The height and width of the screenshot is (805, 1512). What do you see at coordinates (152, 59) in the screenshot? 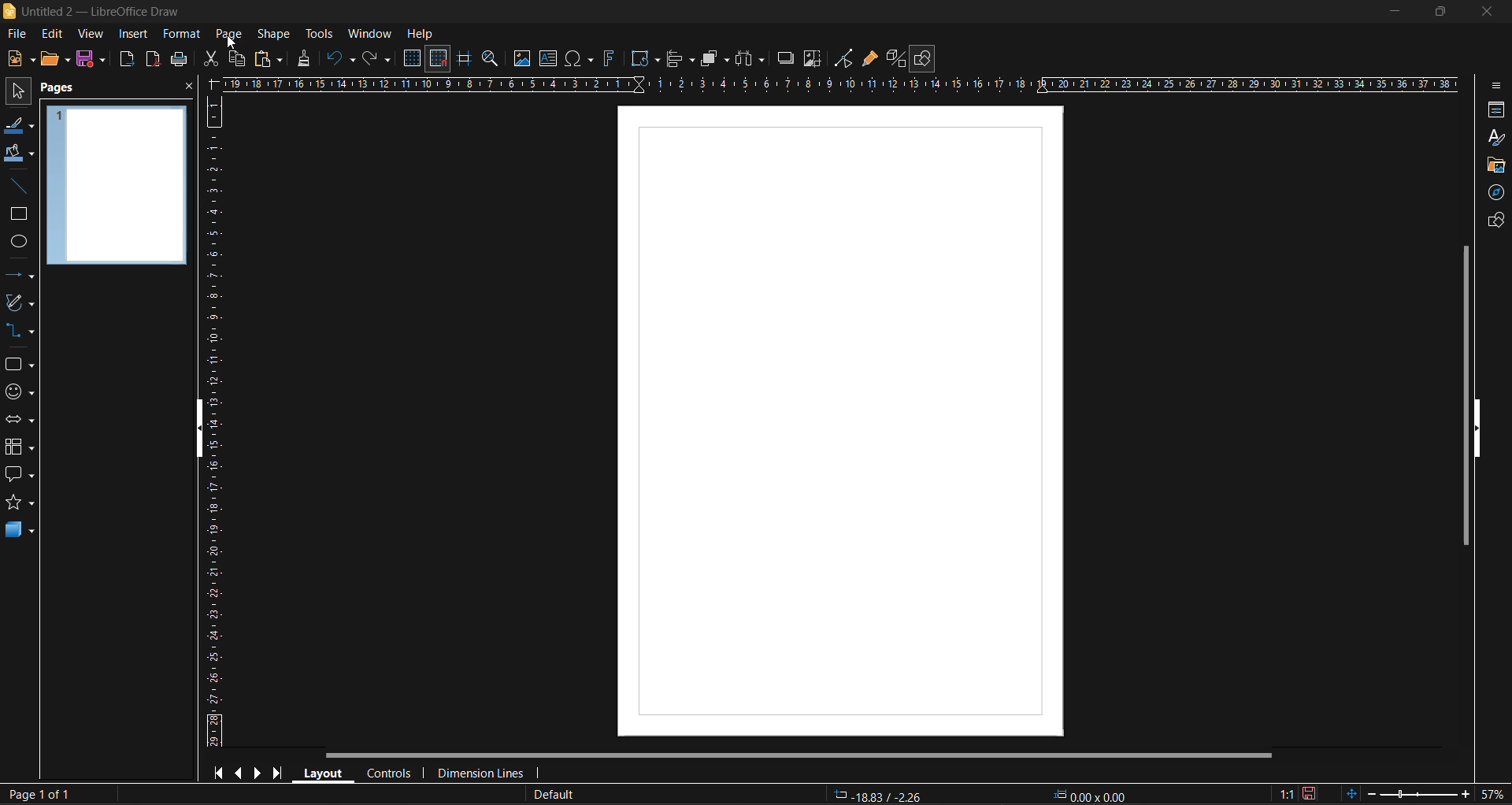
I see `export directly as pdf` at bounding box center [152, 59].